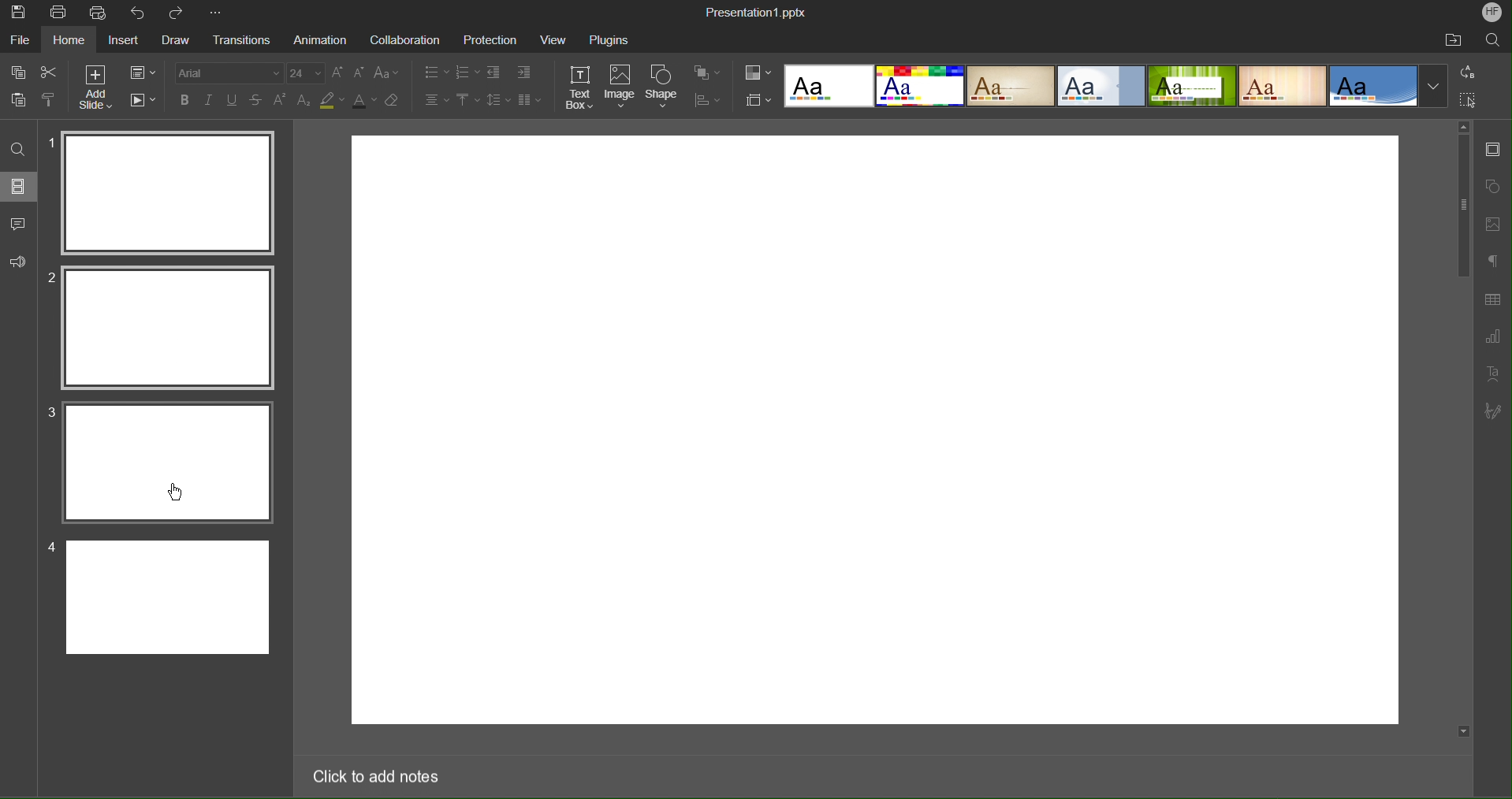 The image size is (1512, 799). I want to click on Account, so click(1490, 13).